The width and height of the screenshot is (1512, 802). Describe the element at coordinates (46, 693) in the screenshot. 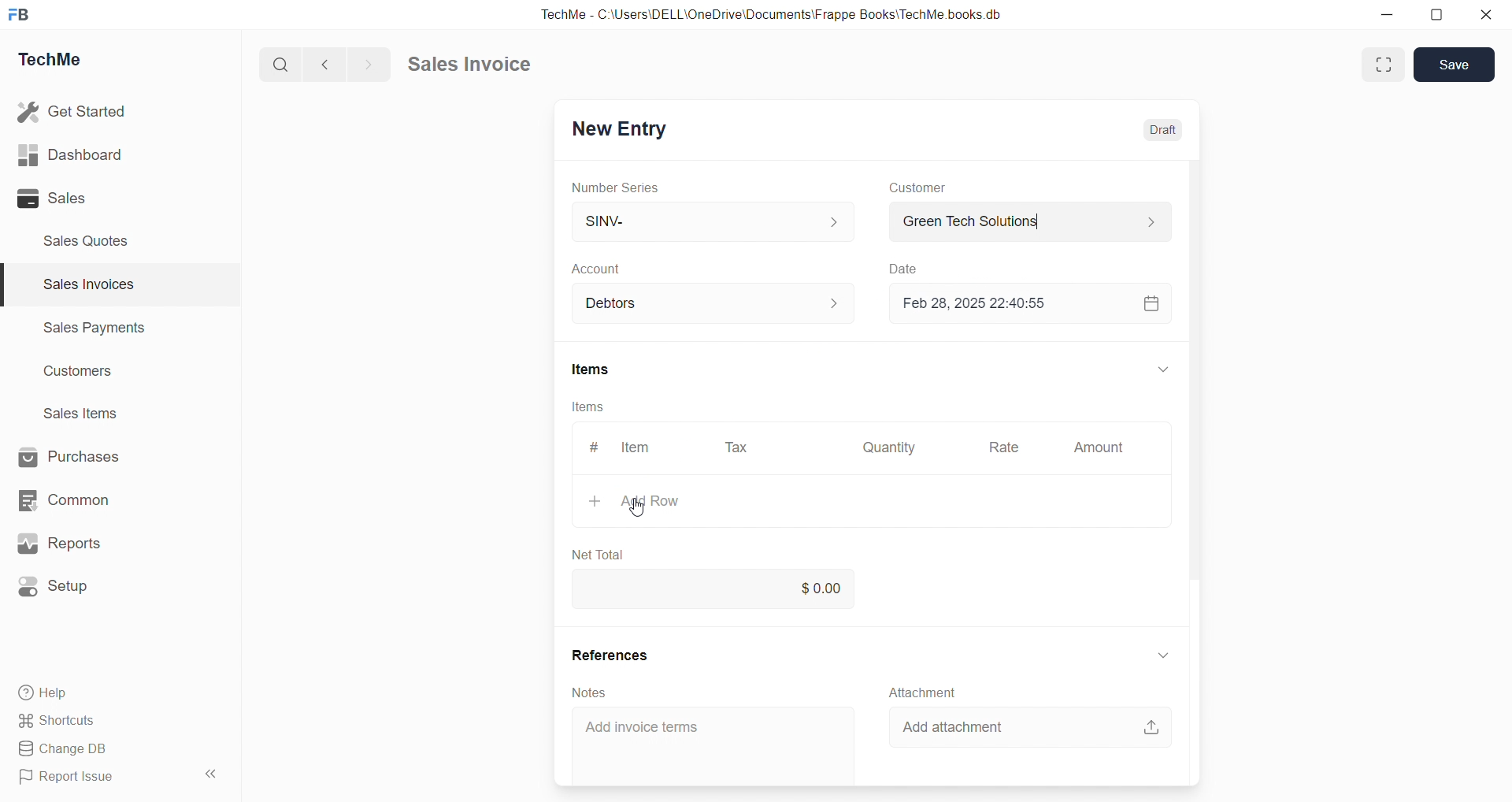

I see `Help` at that location.